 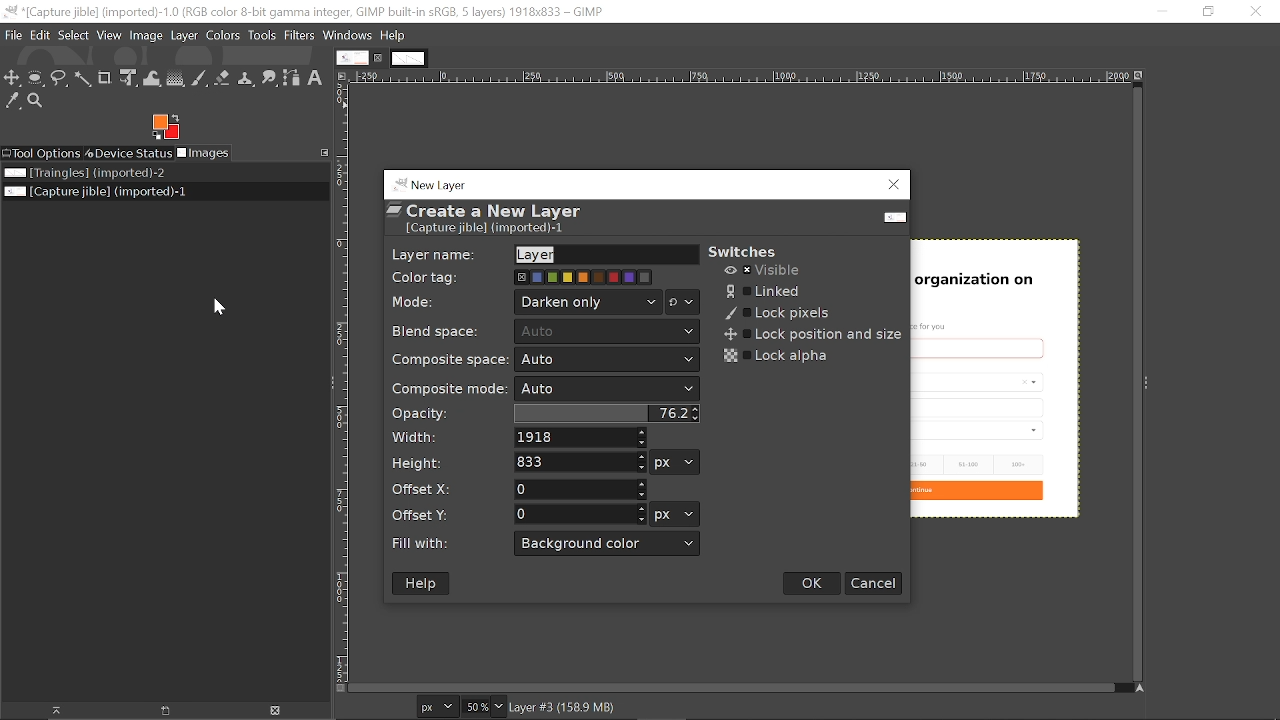 What do you see at coordinates (581, 488) in the screenshot?
I see `Offset X` at bounding box center [581, 488].